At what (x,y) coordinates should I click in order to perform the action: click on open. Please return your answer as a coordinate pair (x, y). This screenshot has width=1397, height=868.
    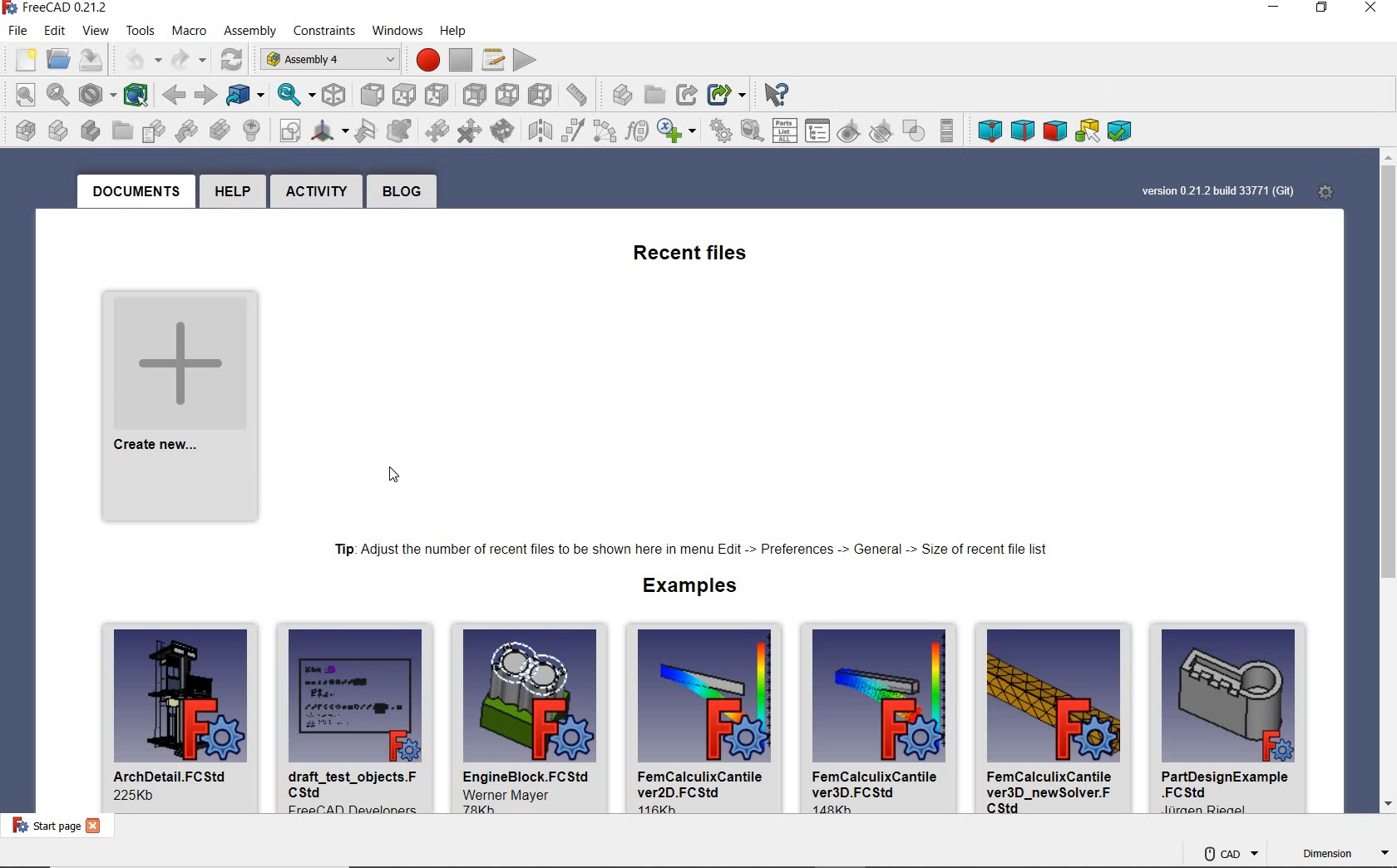
    Looking at the image, I should click on (60, 62).